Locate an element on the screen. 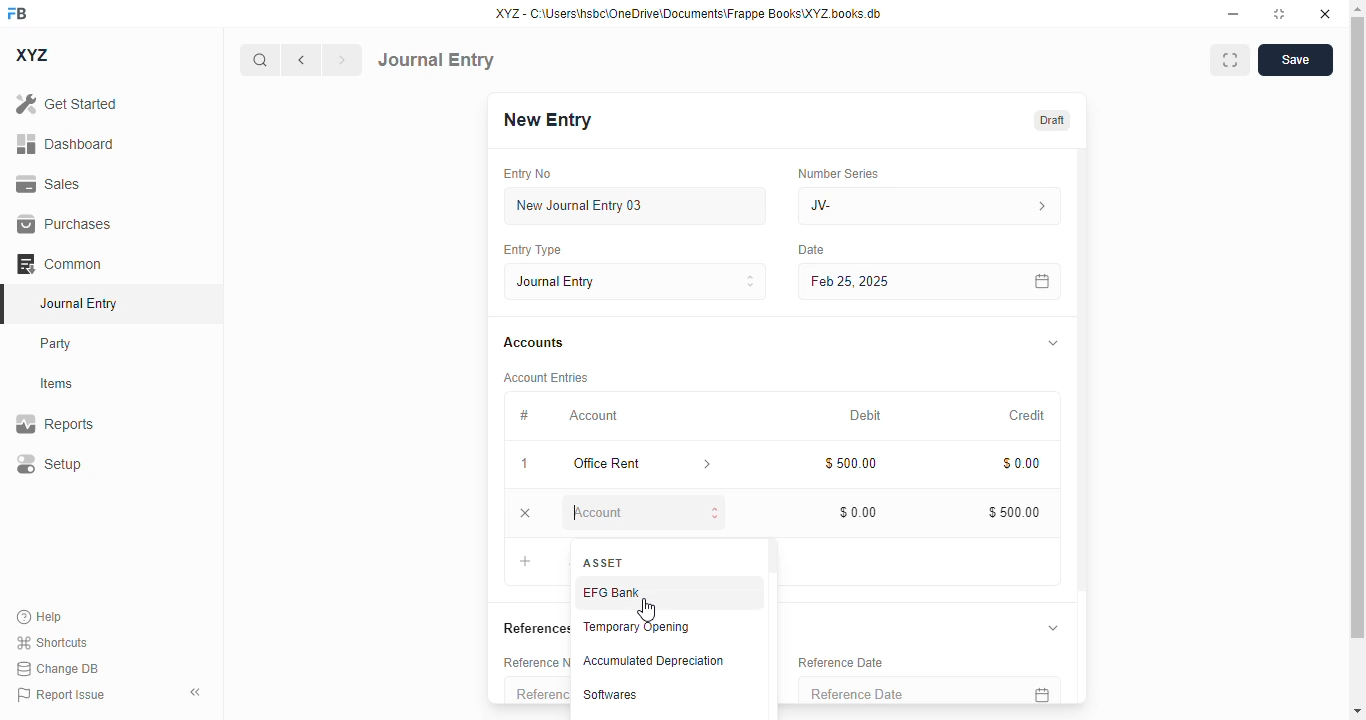 This screenshot has width=1366, height=720. sales is located at coordinates (51, 185).